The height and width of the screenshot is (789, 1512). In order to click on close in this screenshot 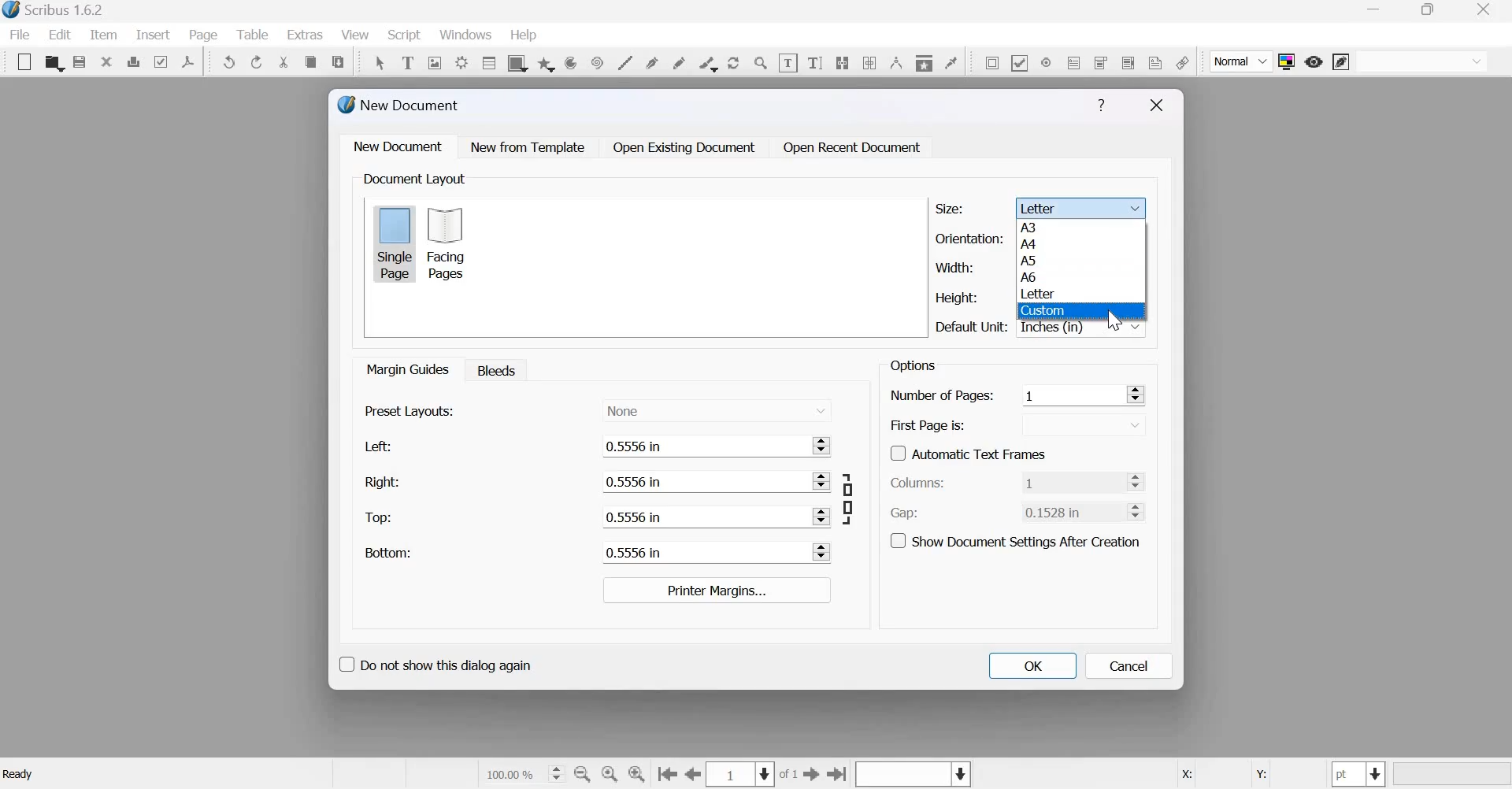, I will do `click(1488, 9)`.